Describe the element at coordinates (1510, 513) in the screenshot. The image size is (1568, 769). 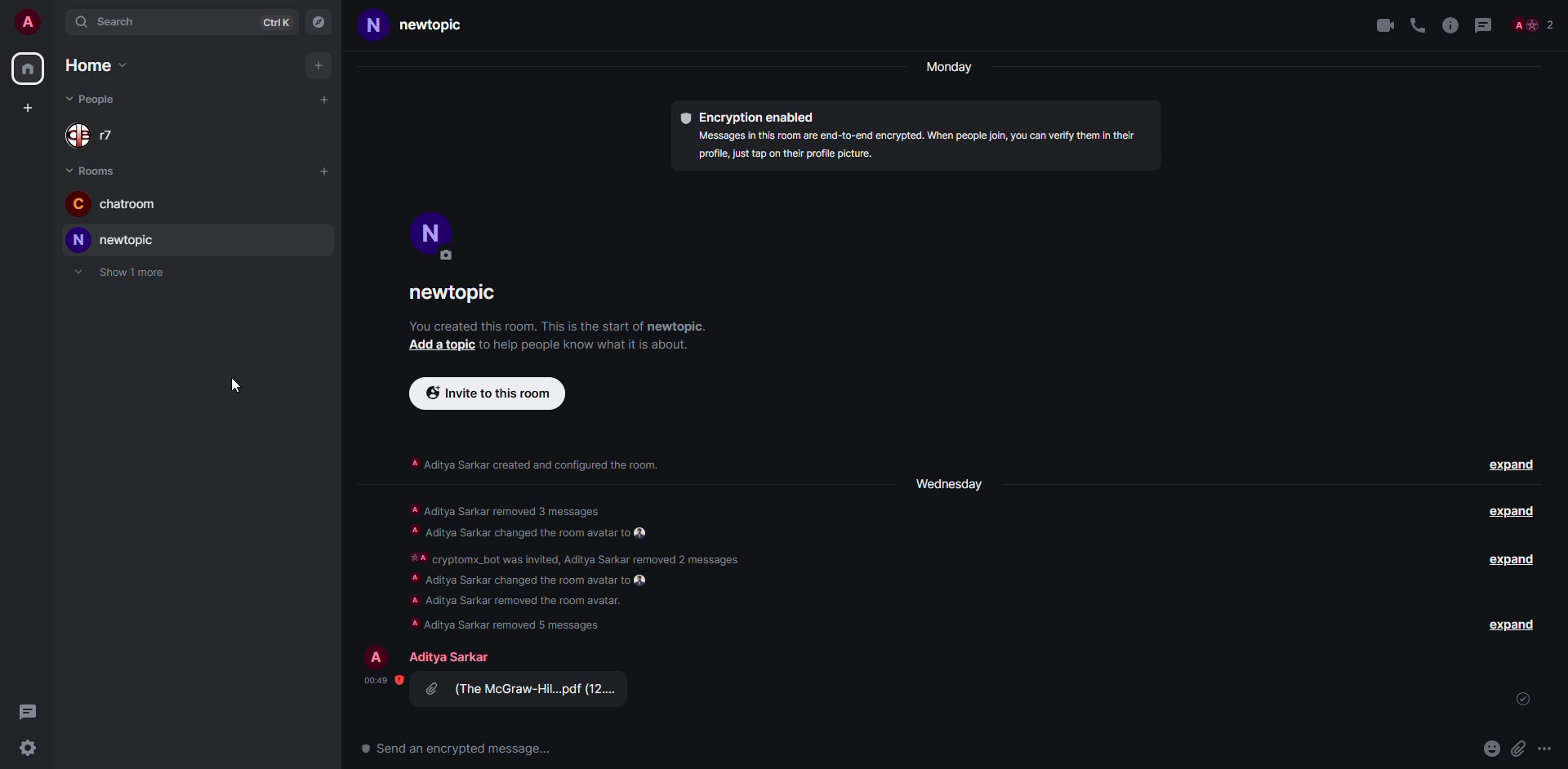
I see `expand` at that location.